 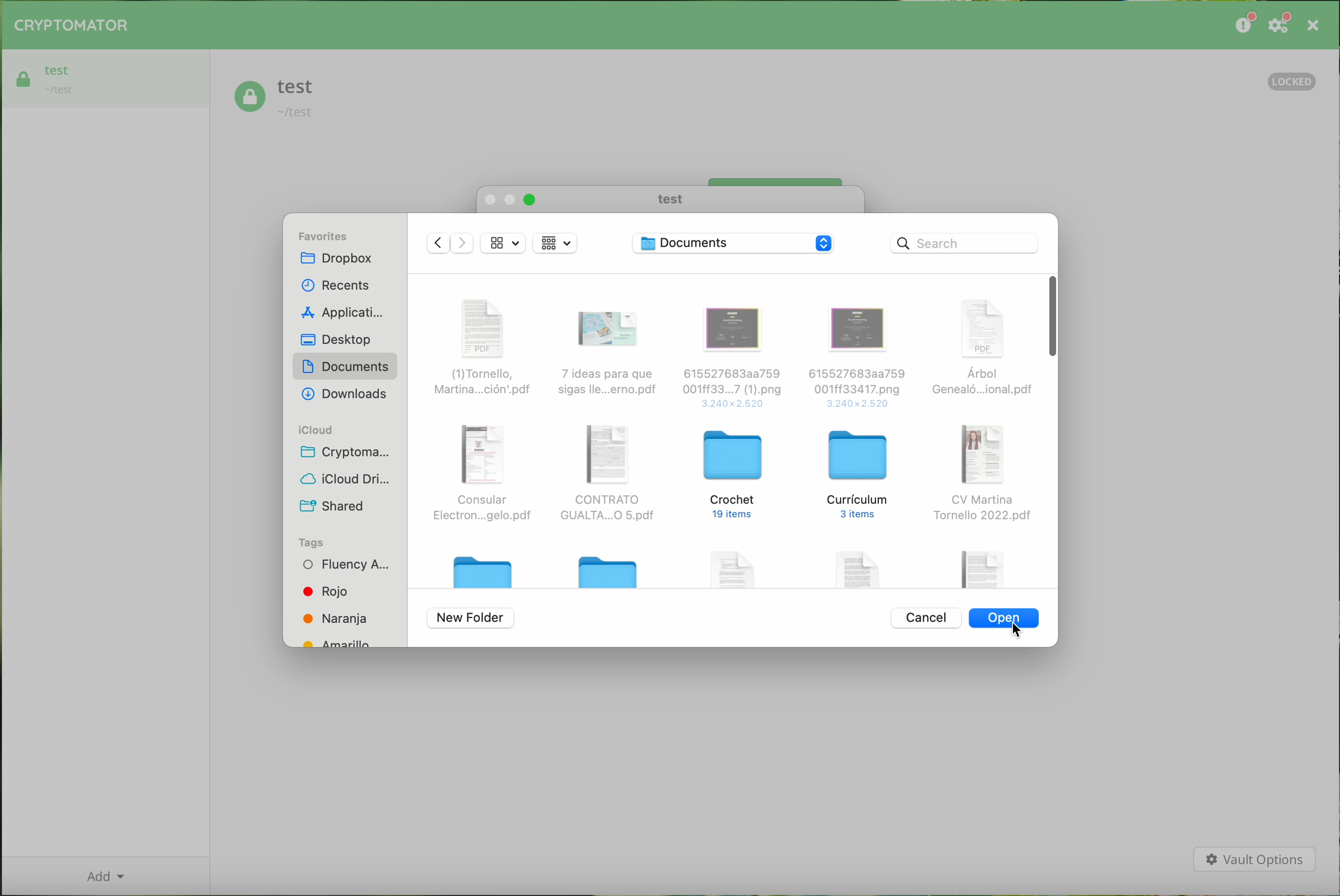 I want to click on vault options, so click(x=1254, y=860).